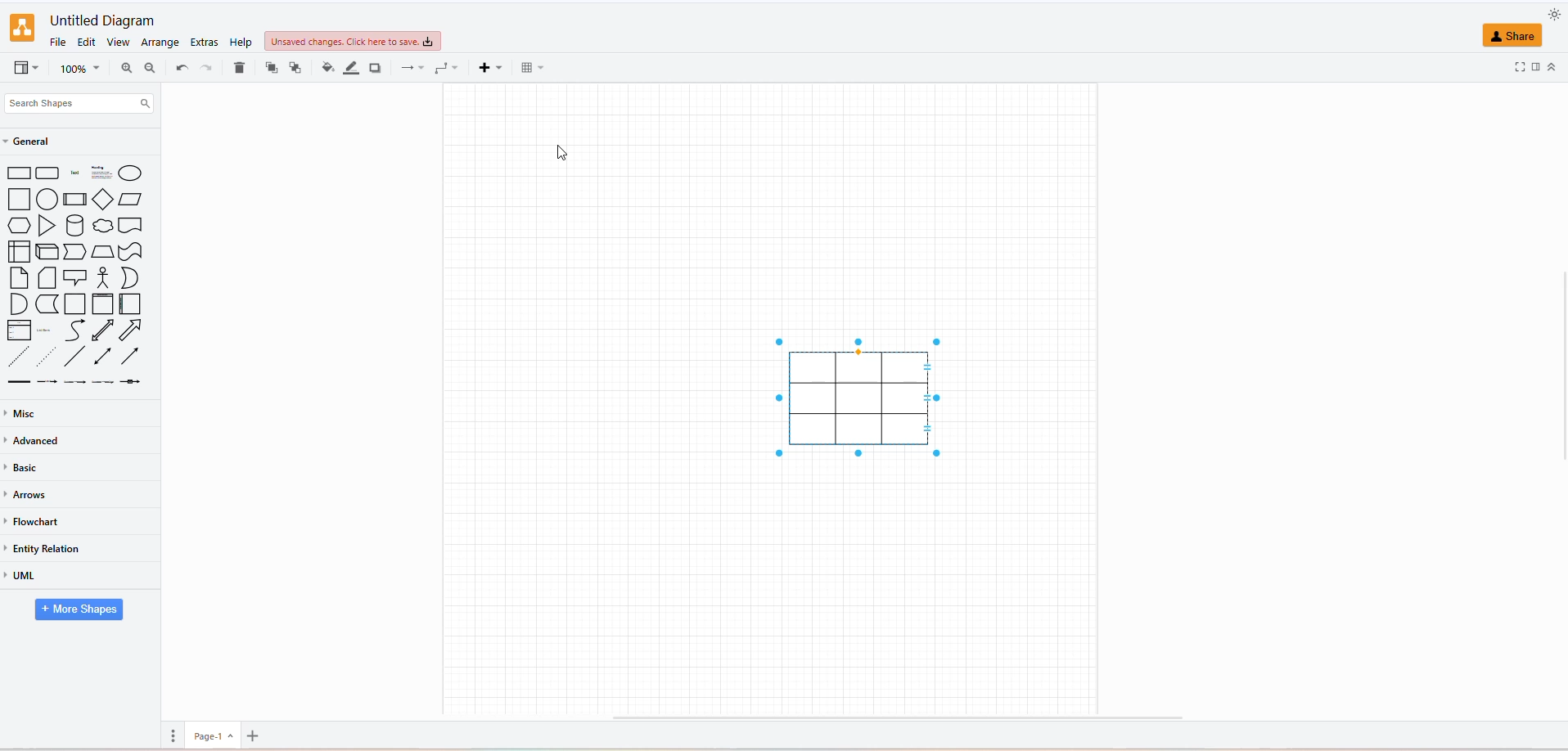 The image size is (1568, 751). Describe the element at coordinates (207, 68) in the screenshot. I see `redo` at that location.